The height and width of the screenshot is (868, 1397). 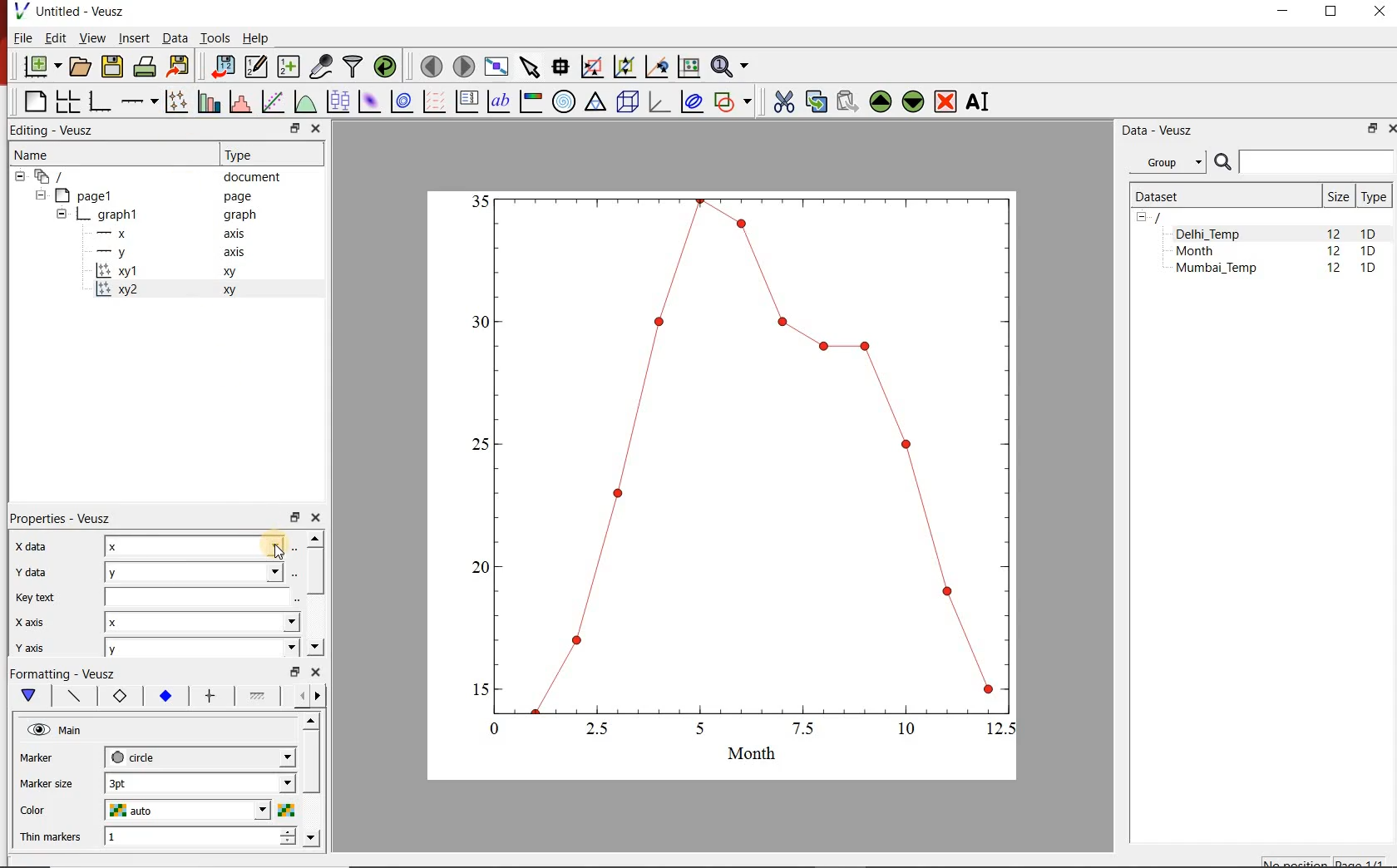 I want to click on create new datasets using available options, so click(x=289, y=67).